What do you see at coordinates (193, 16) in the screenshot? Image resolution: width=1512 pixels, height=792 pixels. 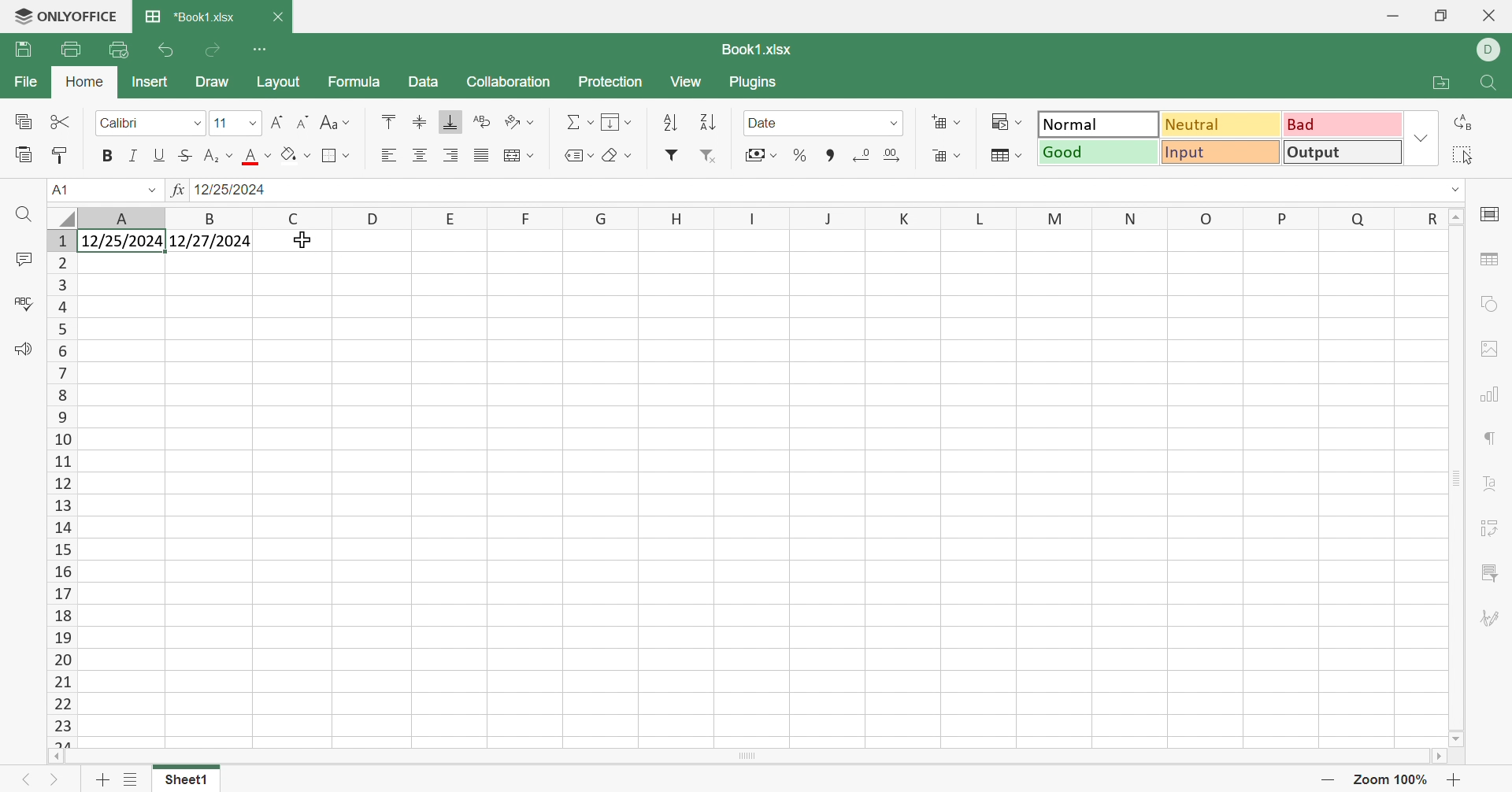 I see `*Book1.xlsx` at bounding box center [193, 16].